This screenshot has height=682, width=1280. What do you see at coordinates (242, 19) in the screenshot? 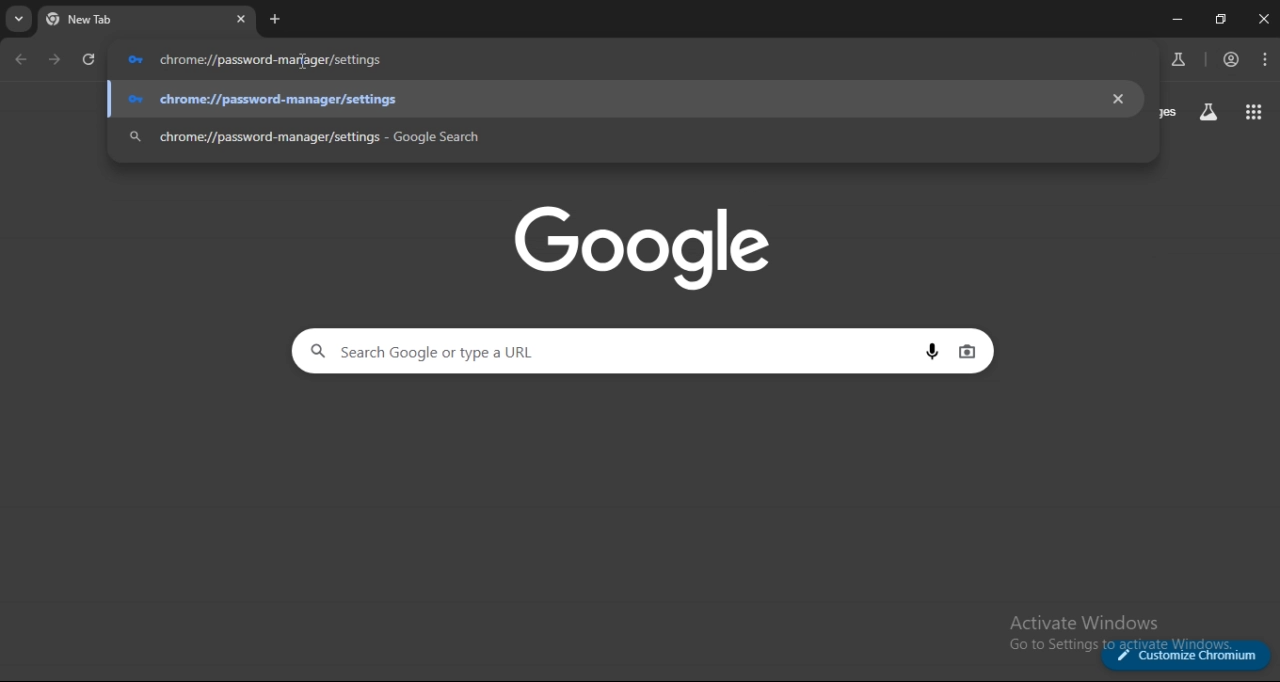
I see `close tab` at bounding box center [242, 19].